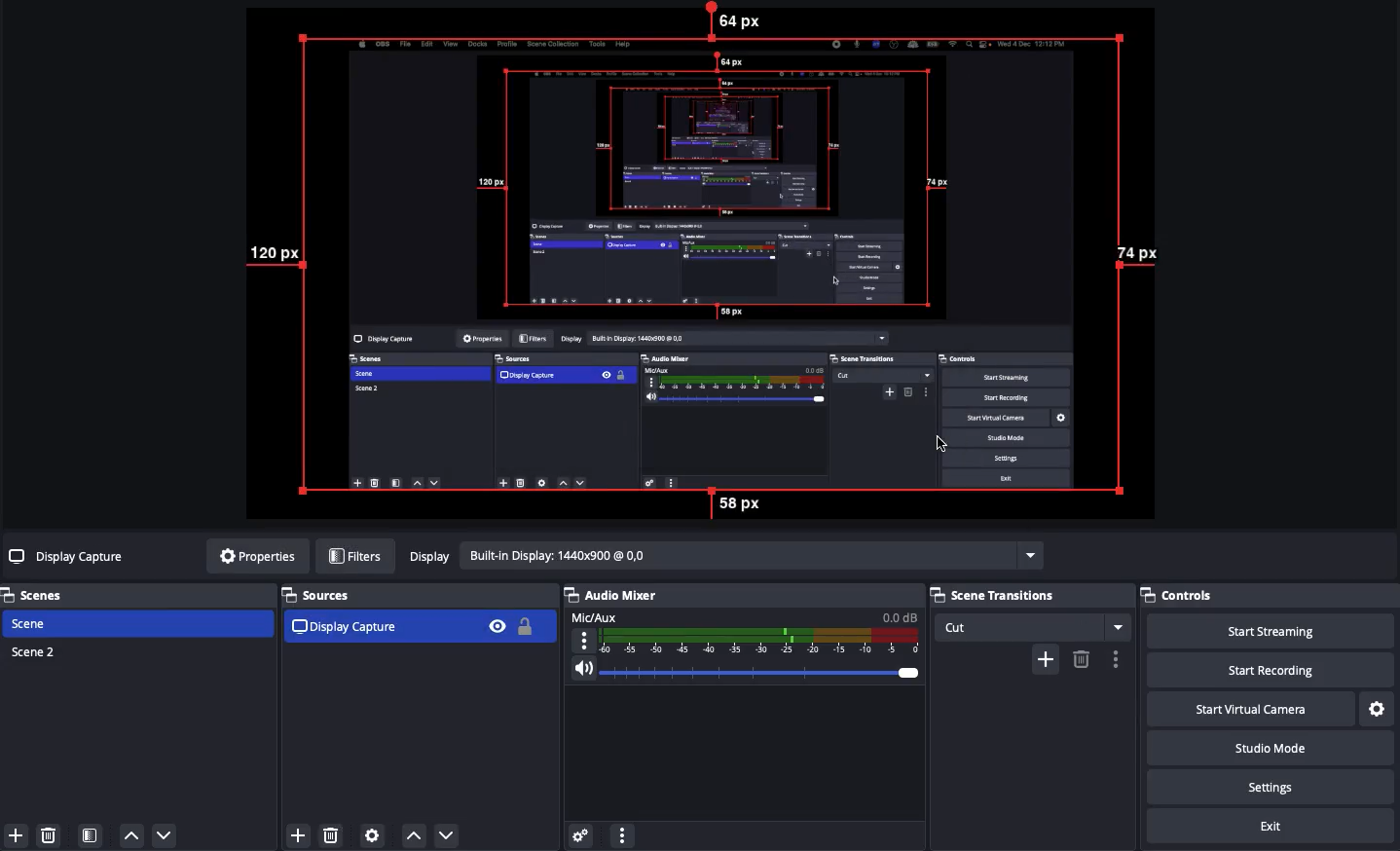  What do you see at coordinates (52, 834) in the screenshot?
I see `Delete` at bounding box center [52, 834].